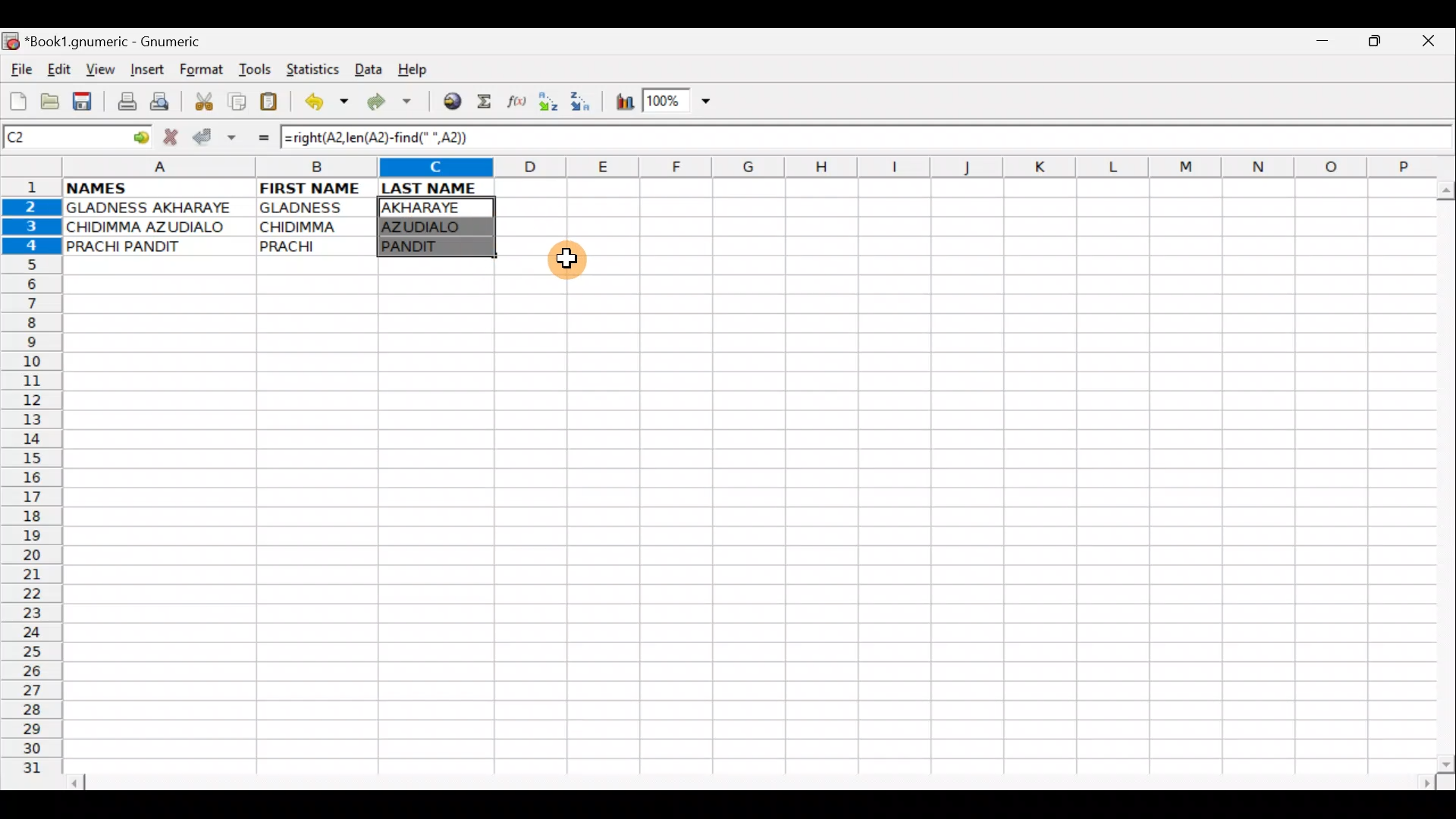  What do you see at coordinates (969, 139) in the screenshot?
I see `Formula bar` at bounding box center [969, 139].